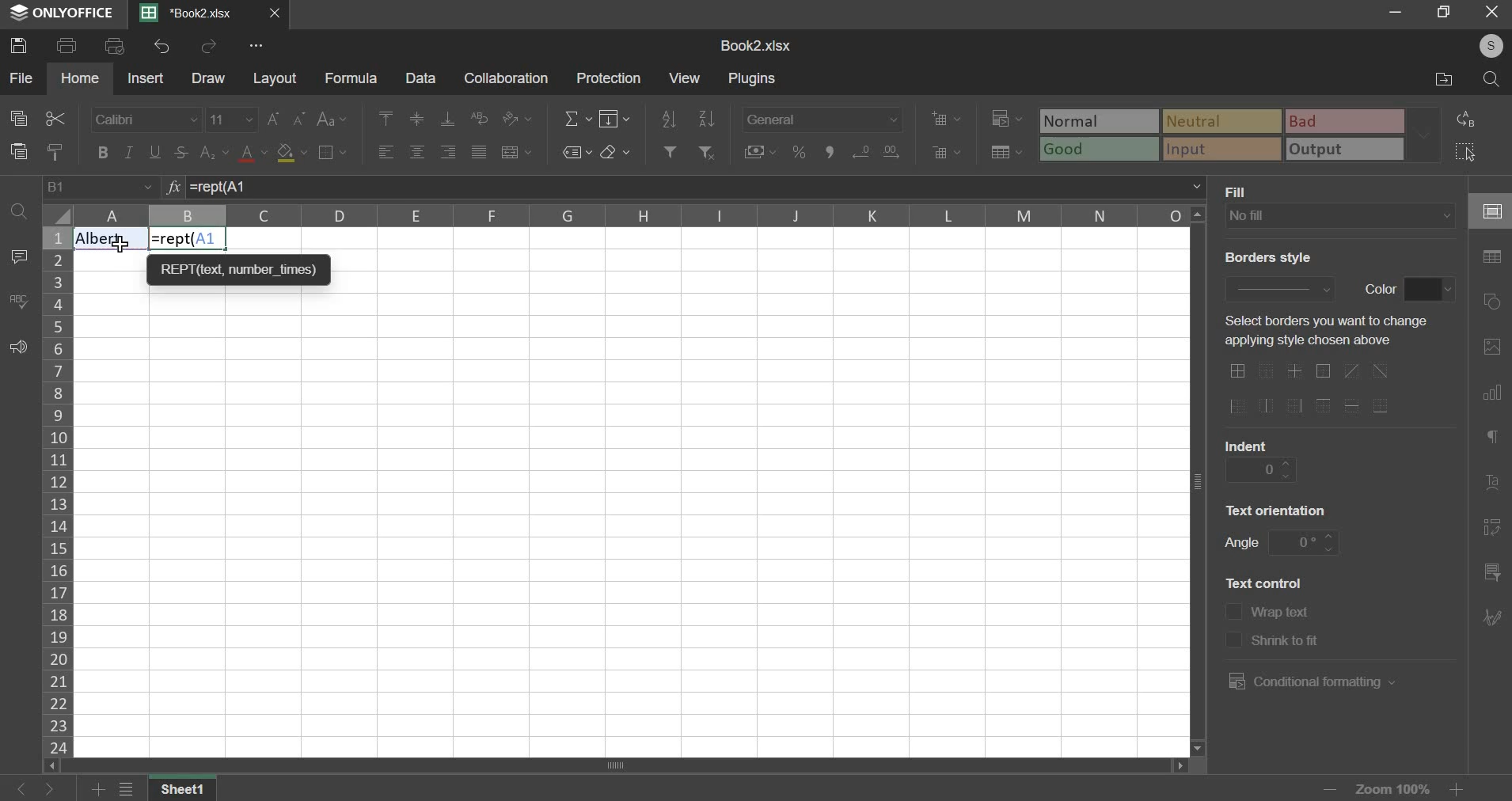  I want to click on collaboration, so click(507, 78).